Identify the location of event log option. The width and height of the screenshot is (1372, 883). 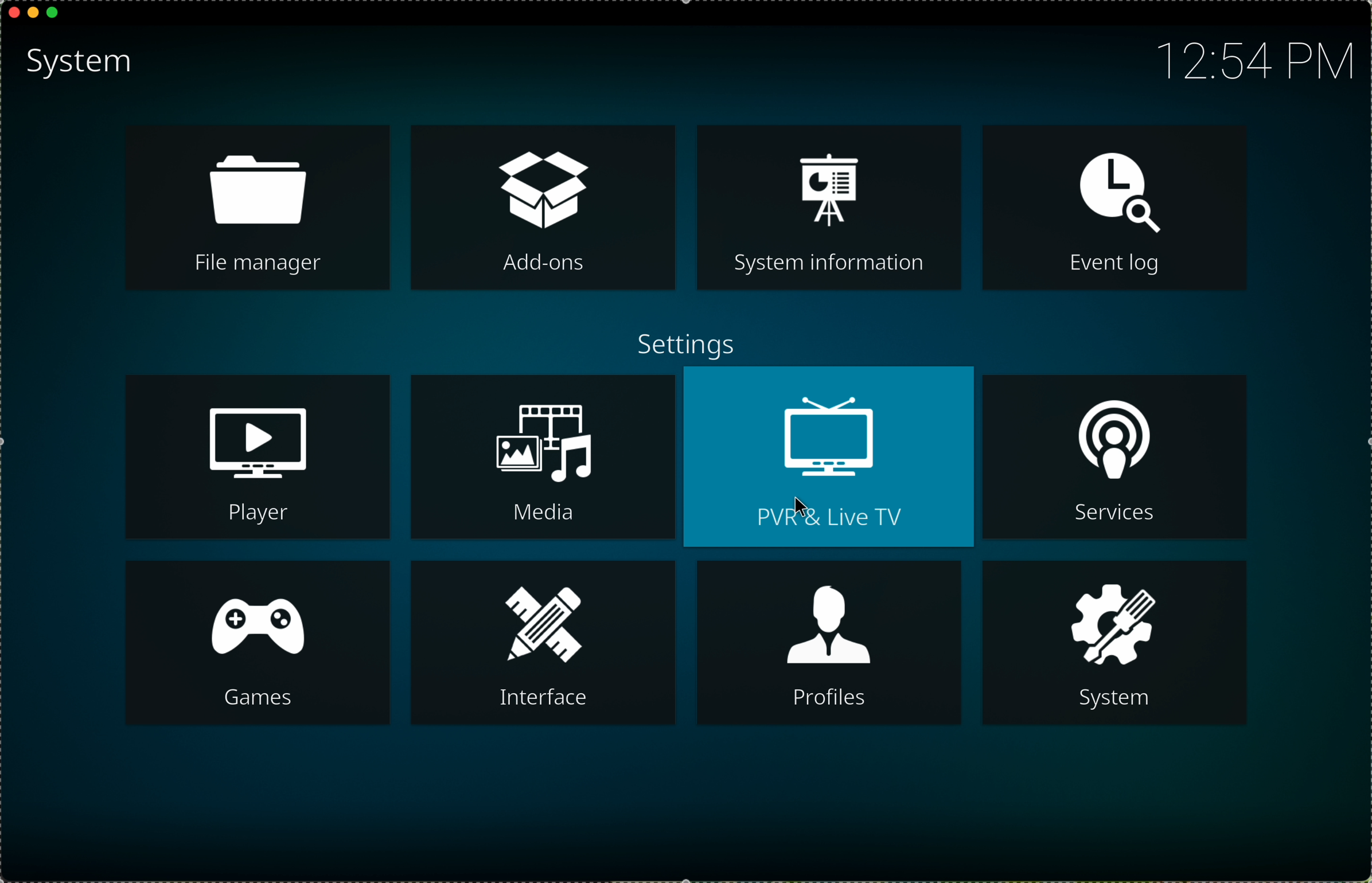
(1112, 209).